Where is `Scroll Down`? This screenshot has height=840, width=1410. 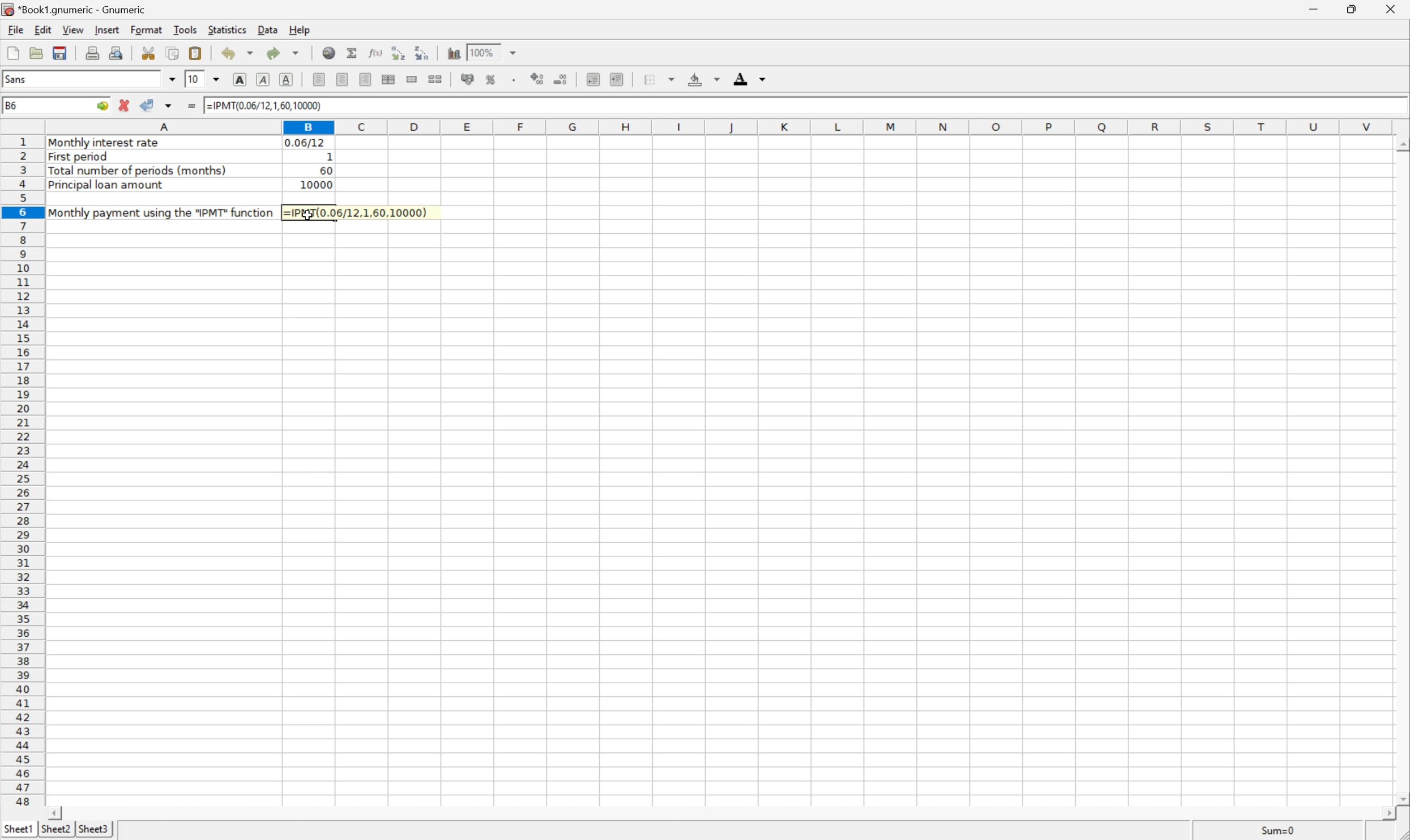 Scroll Down is located at coordinates (1401, 798).